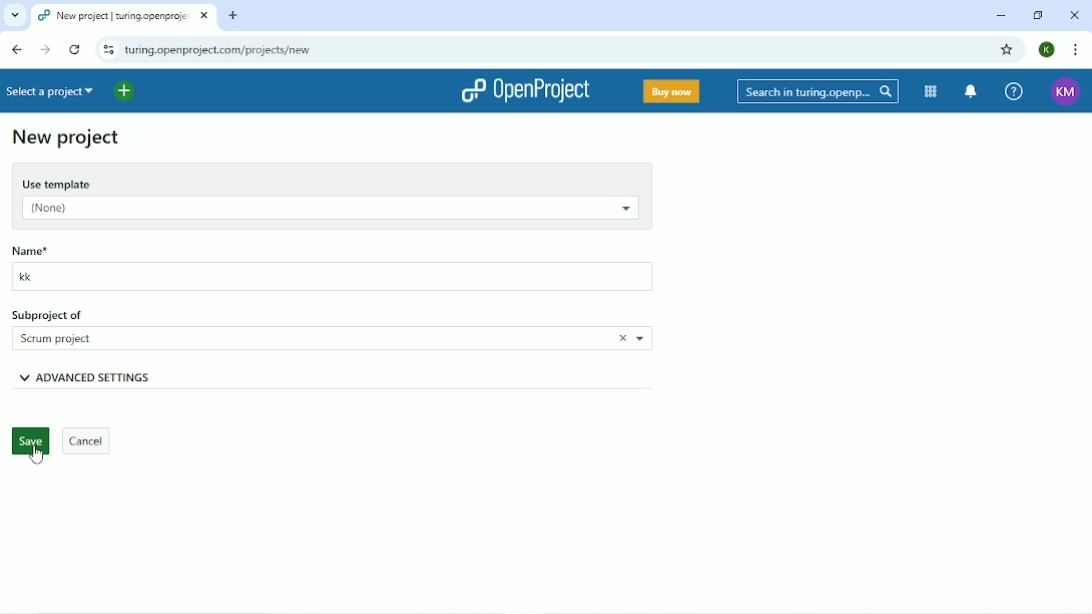 The image size is (1092, 614). What do you see at coordinates (1014, 90) in the screenshot?
I see `Help` at bounding box center [1014, 90].